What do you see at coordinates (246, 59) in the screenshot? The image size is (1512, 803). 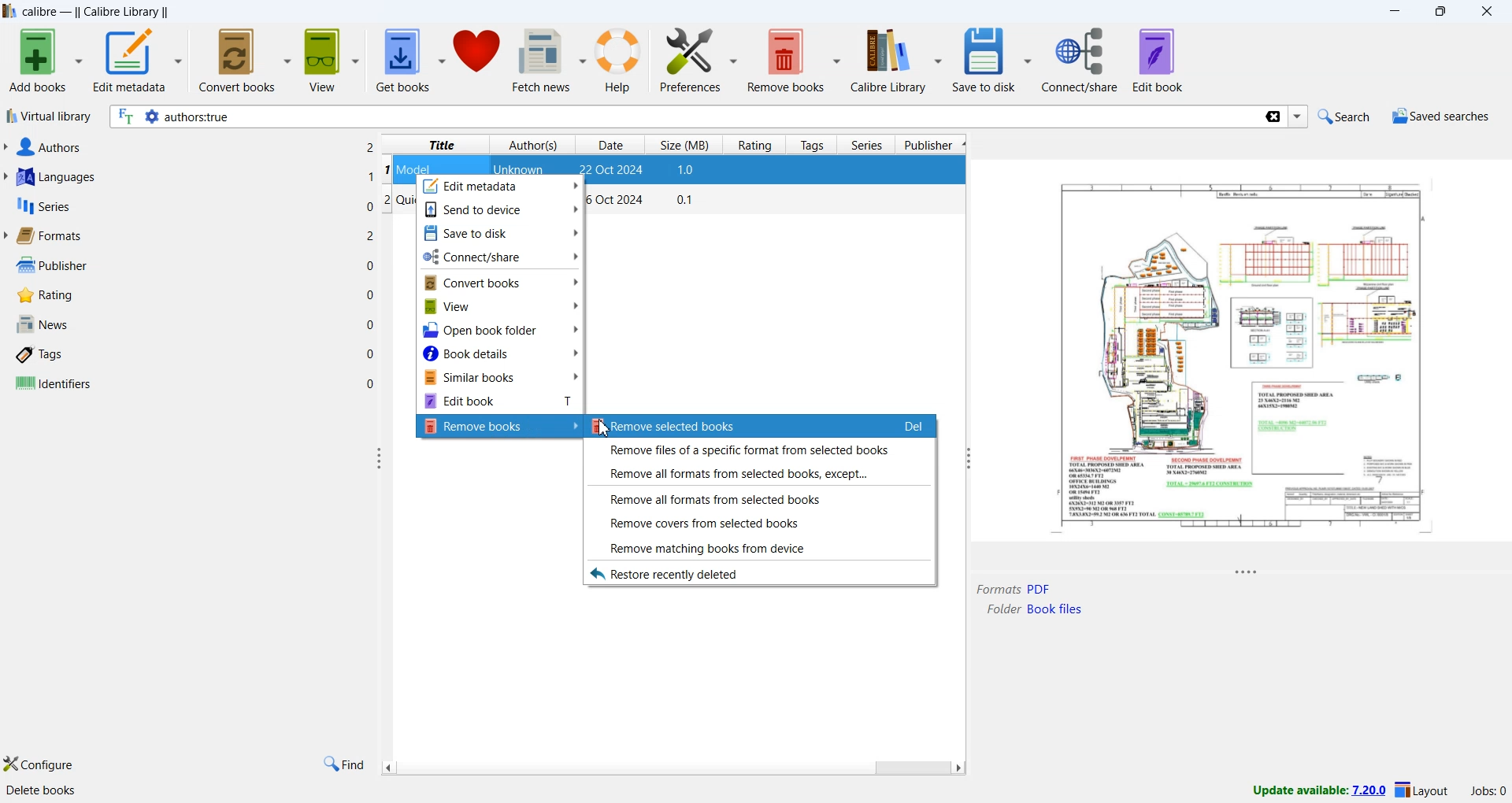 I see `convert books` at bounding box center [246, 59].